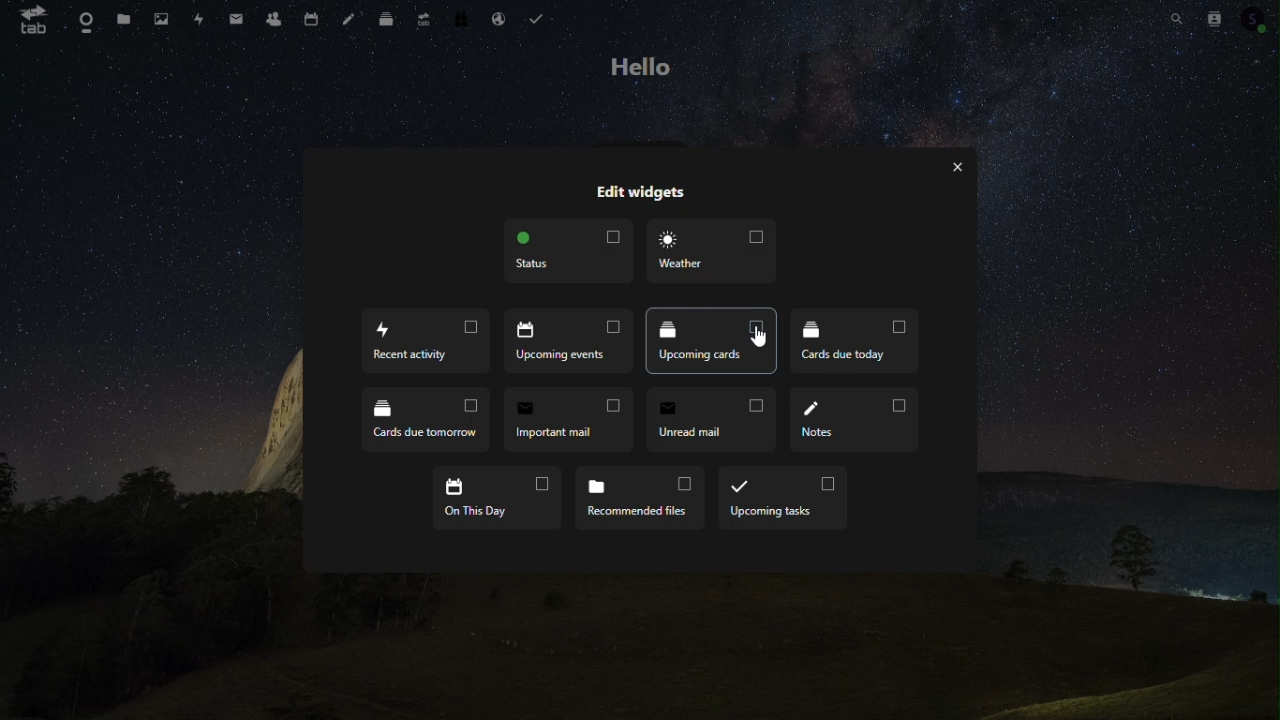 Image resolution: width=1280 pixels, height=720 pixels. Describe the element at coordinates (163, 18) in the screenshot. I see `Photos` at that location.